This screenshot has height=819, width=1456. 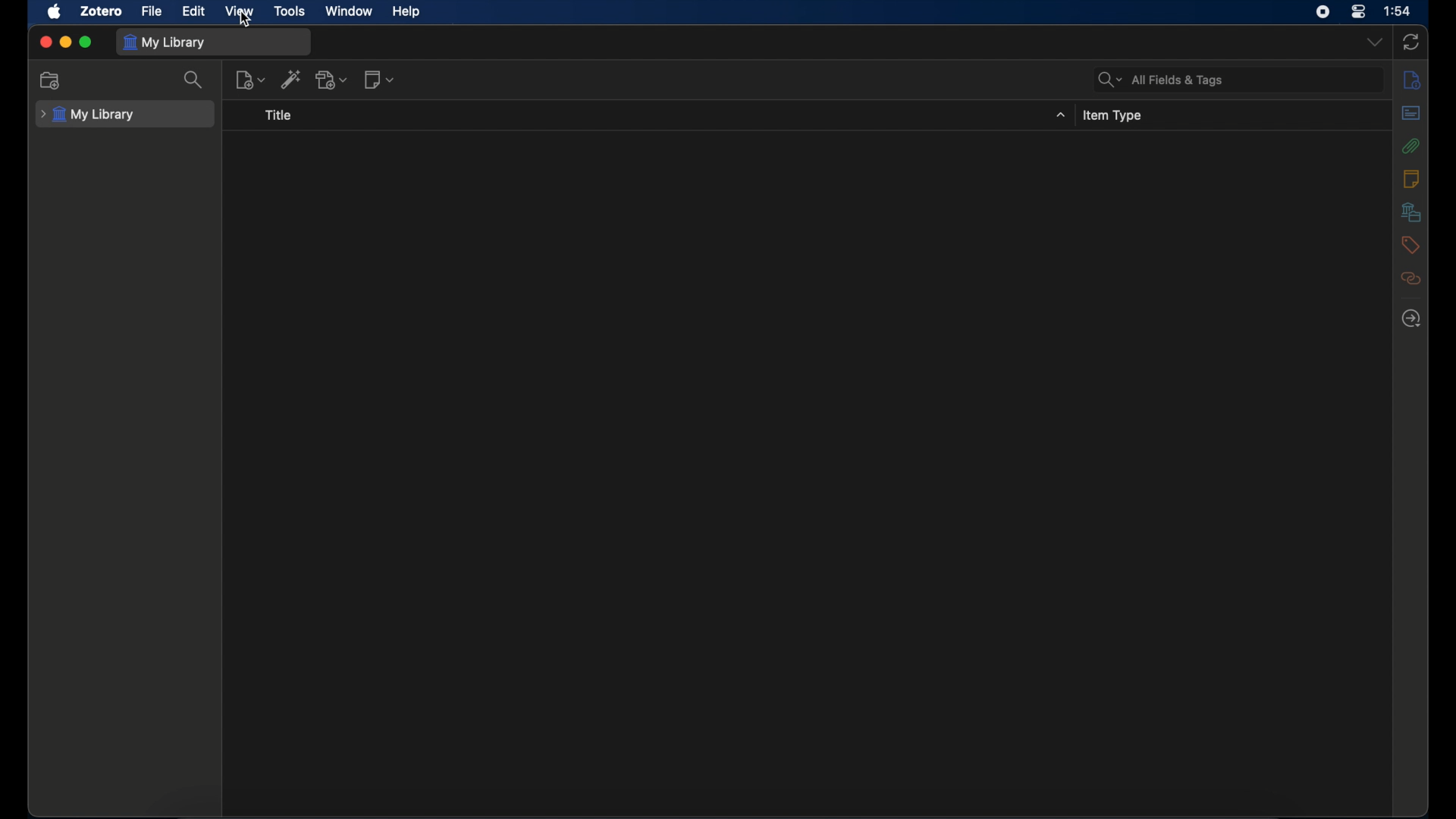 I want to click on add item by identifier, so click(x=292, y=79).